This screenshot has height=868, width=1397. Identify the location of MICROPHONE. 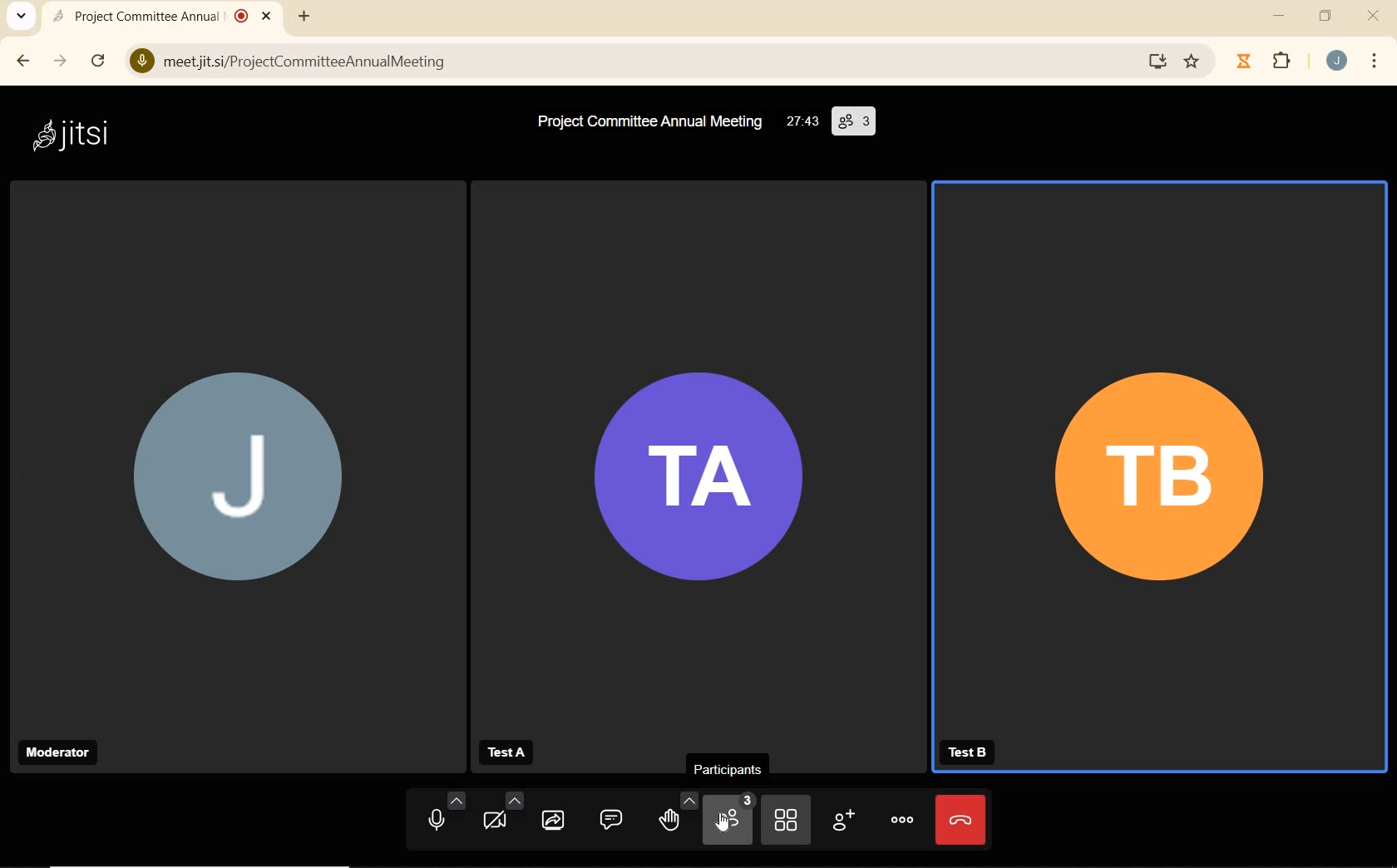
(442, 811).